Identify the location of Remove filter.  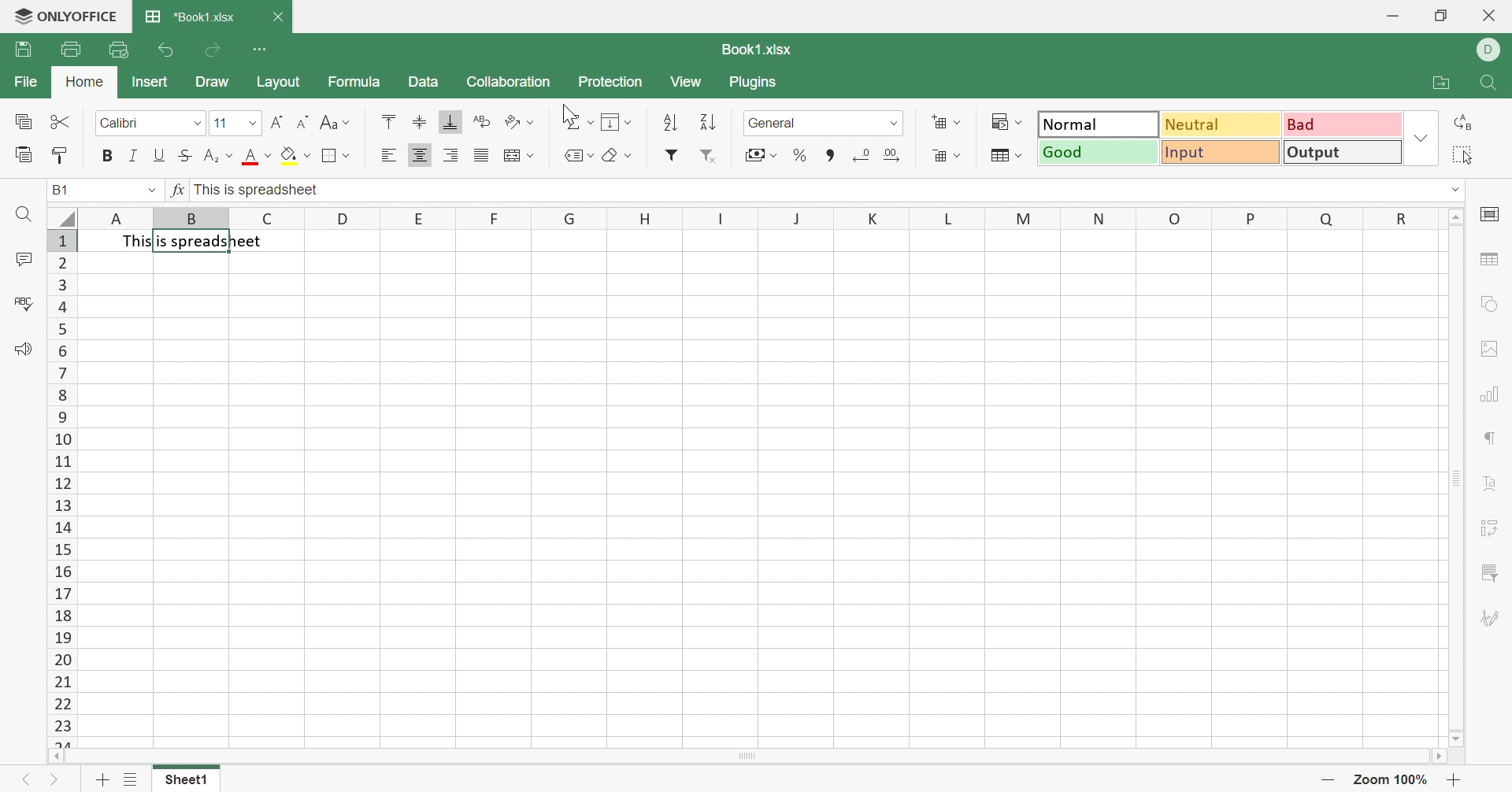
(710, 157).